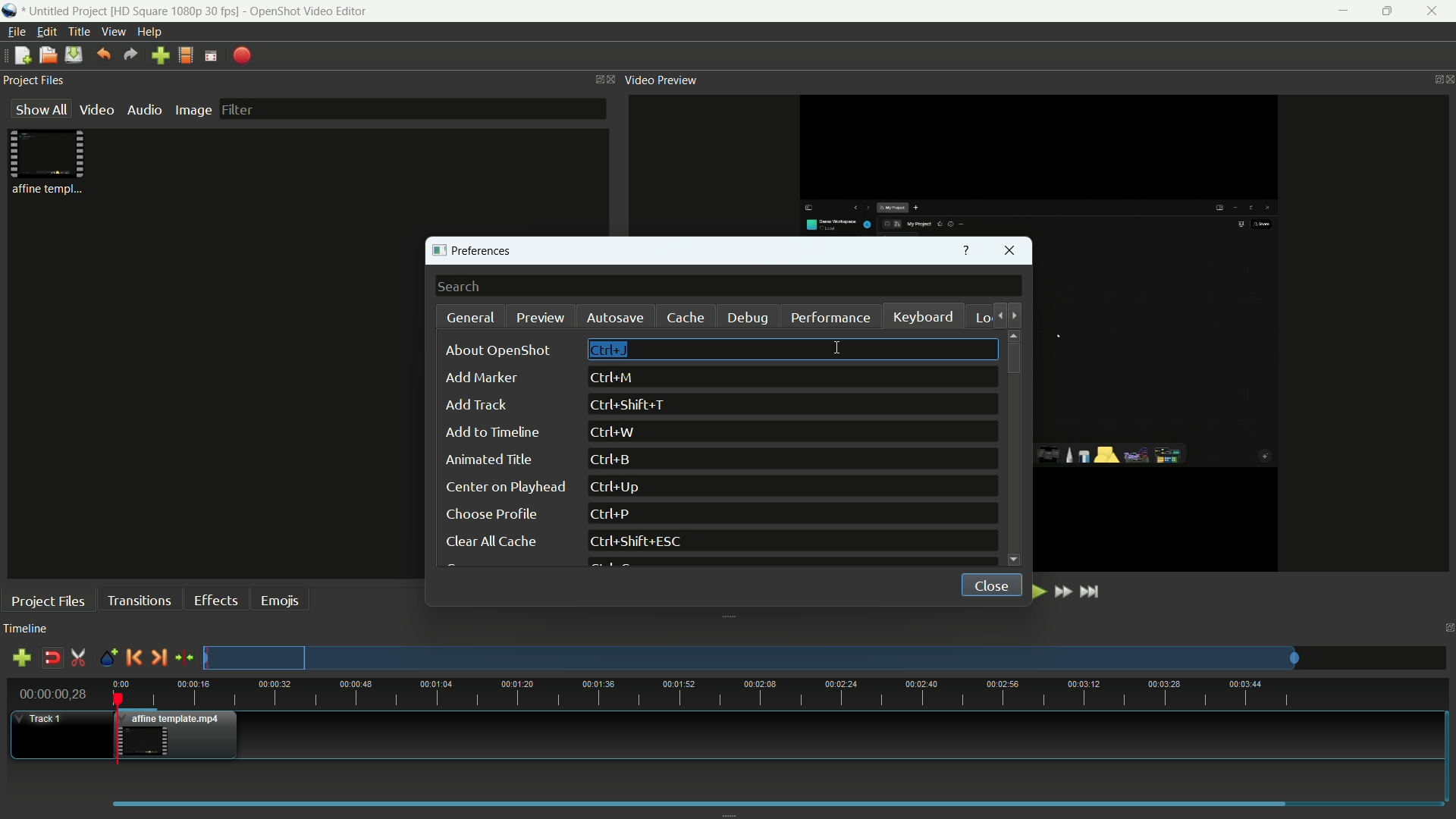  What do you see at coordinates (836, 348) in the screenshot?
I see `cursor` at bounding box center [836, 348].